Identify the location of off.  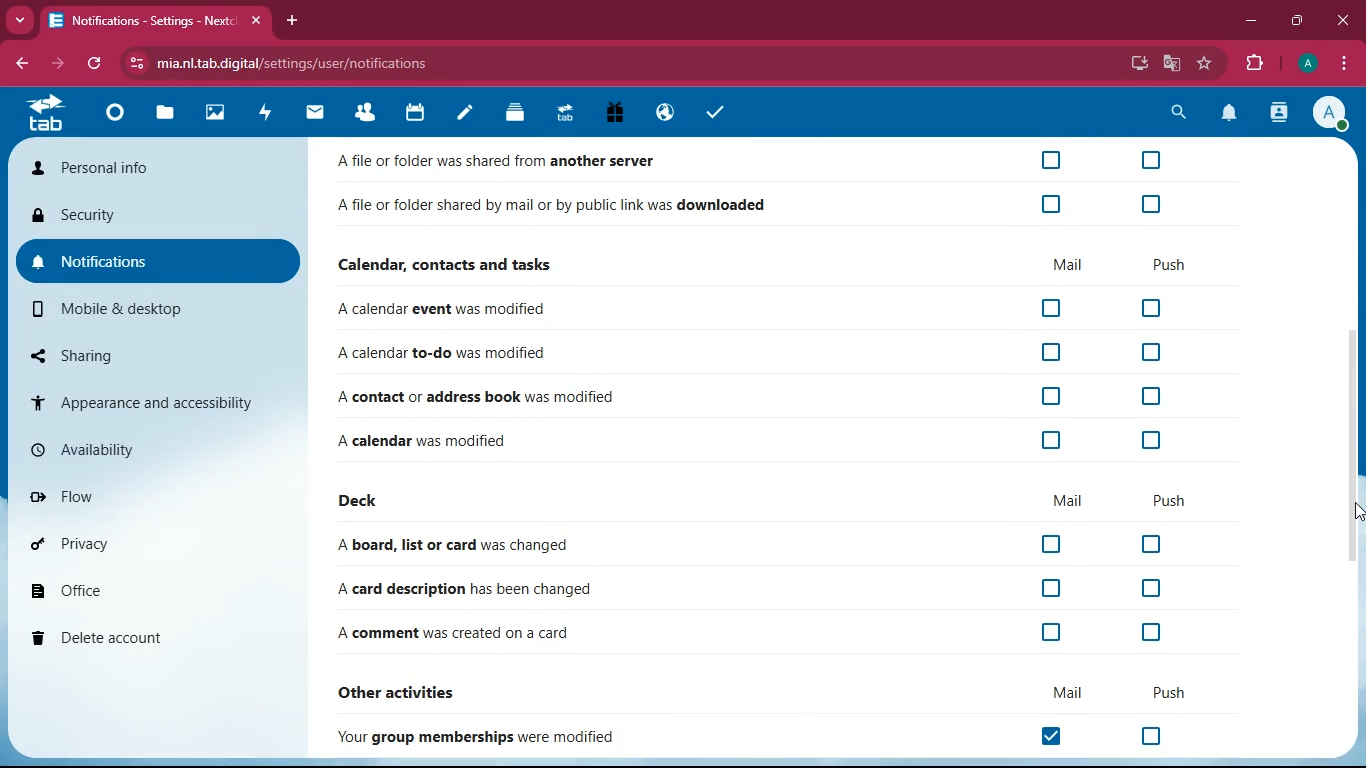
(1050, 351).